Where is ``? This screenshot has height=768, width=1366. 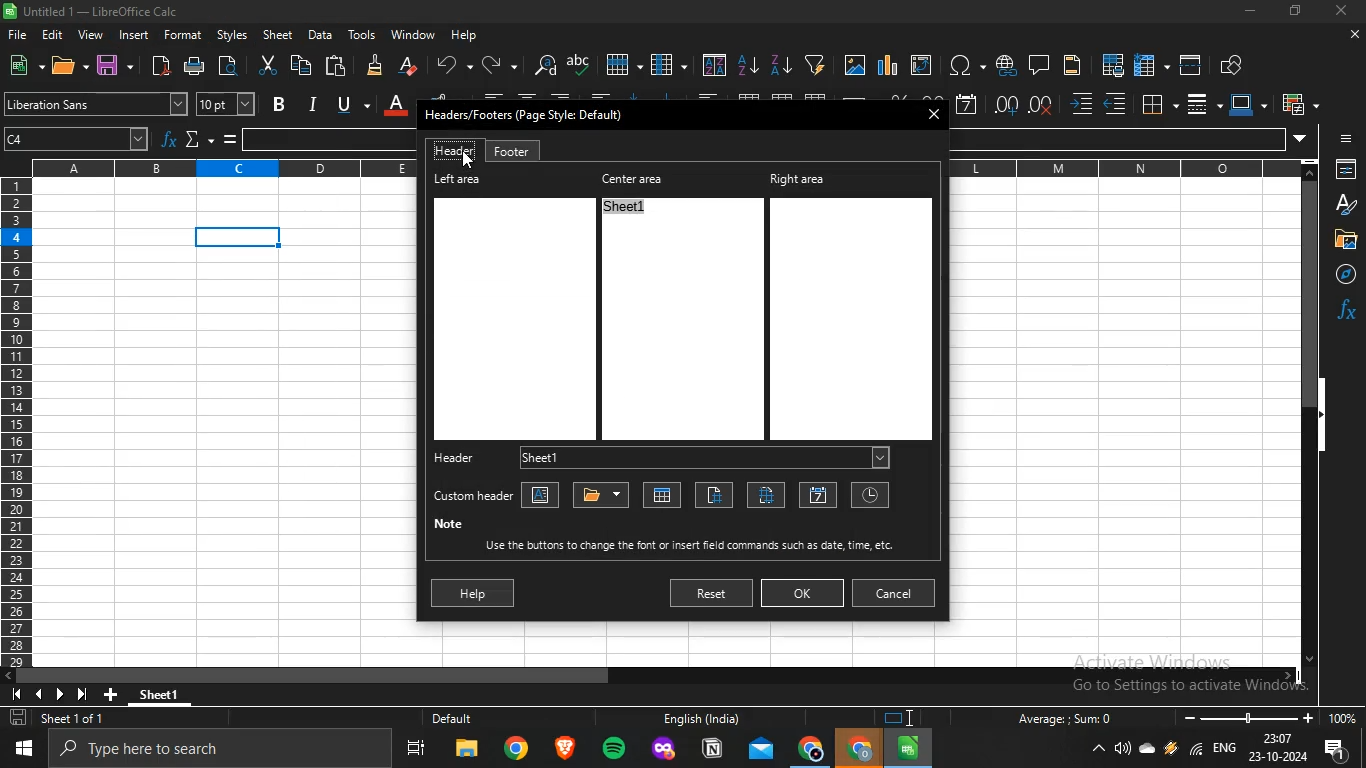  is located at coordinates (1343, 239).